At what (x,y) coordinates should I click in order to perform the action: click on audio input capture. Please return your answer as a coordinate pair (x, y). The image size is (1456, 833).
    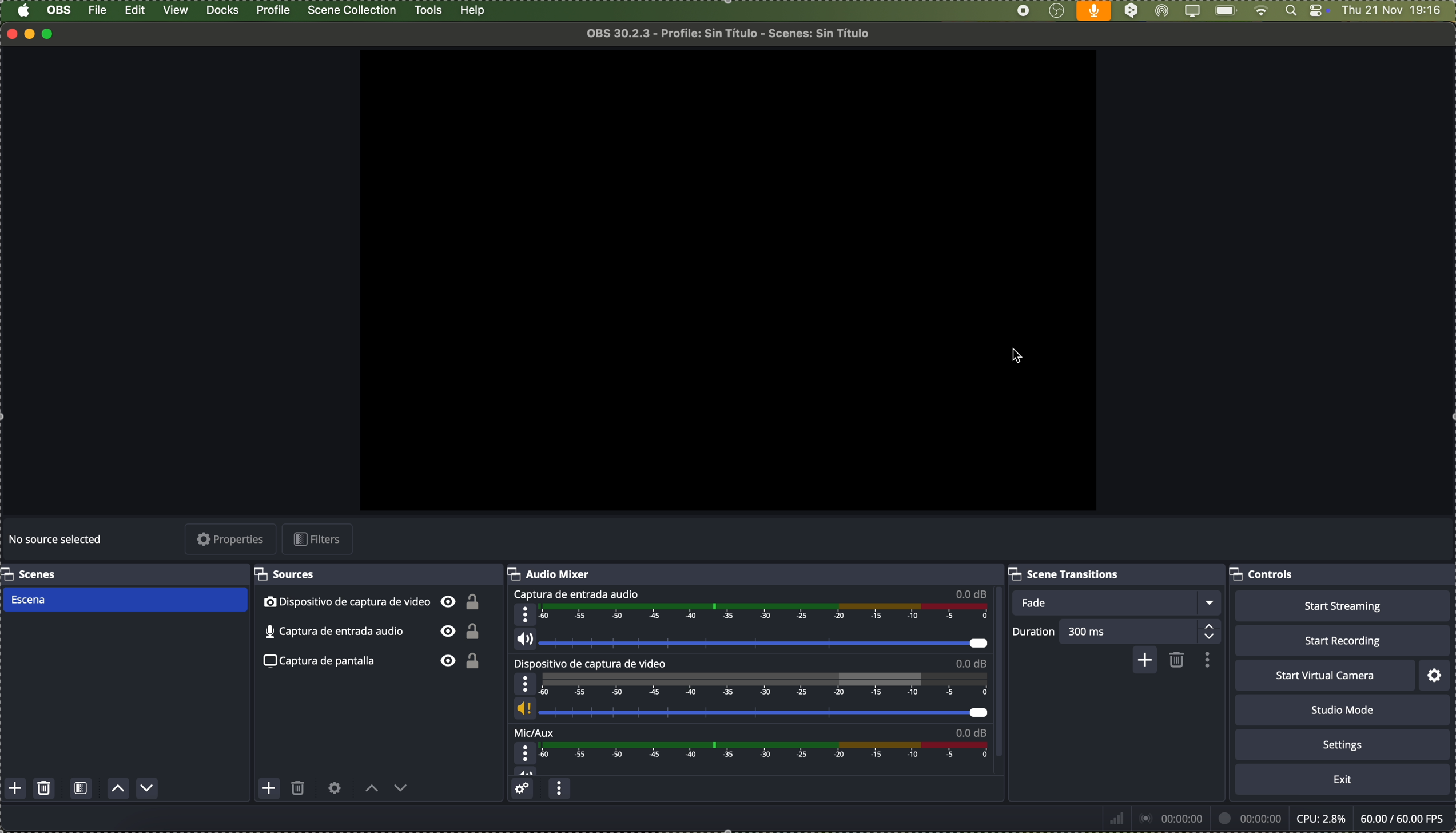
    Looking at the image, I should click on (371, 632).